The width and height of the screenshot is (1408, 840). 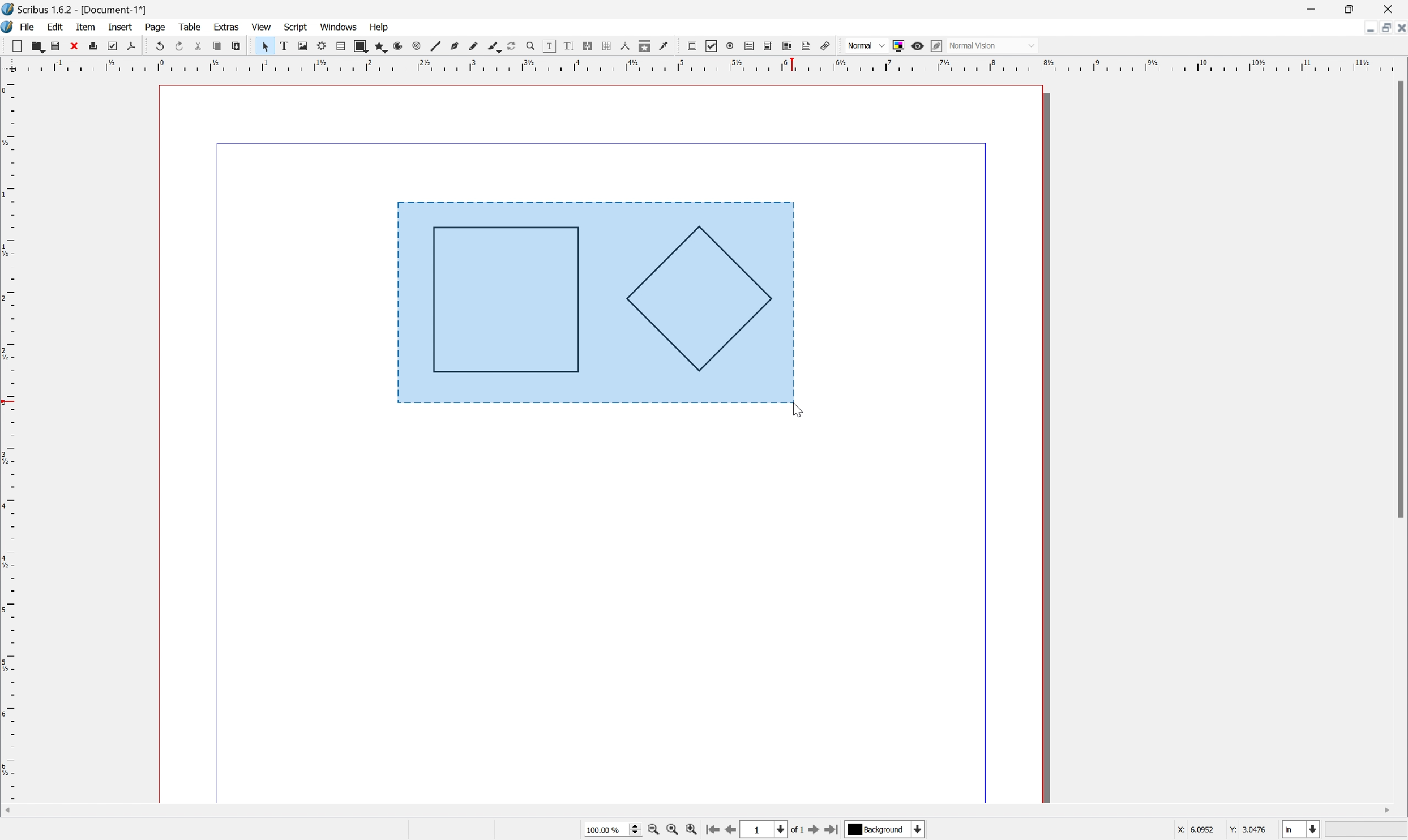 I want to click on Ruler, so click(x=706, y=63).